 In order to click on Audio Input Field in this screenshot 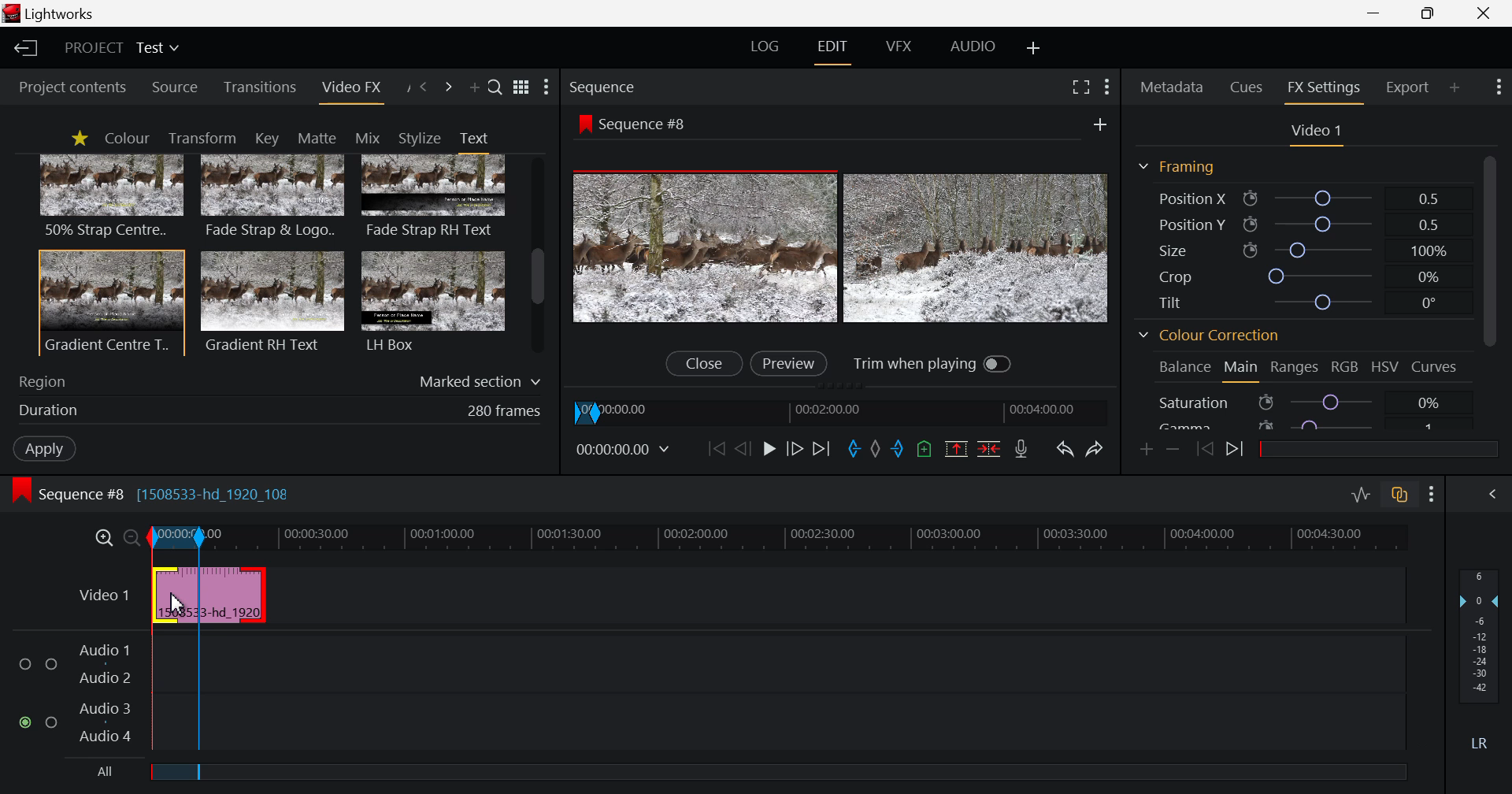, I will do `click(780, 690)`.